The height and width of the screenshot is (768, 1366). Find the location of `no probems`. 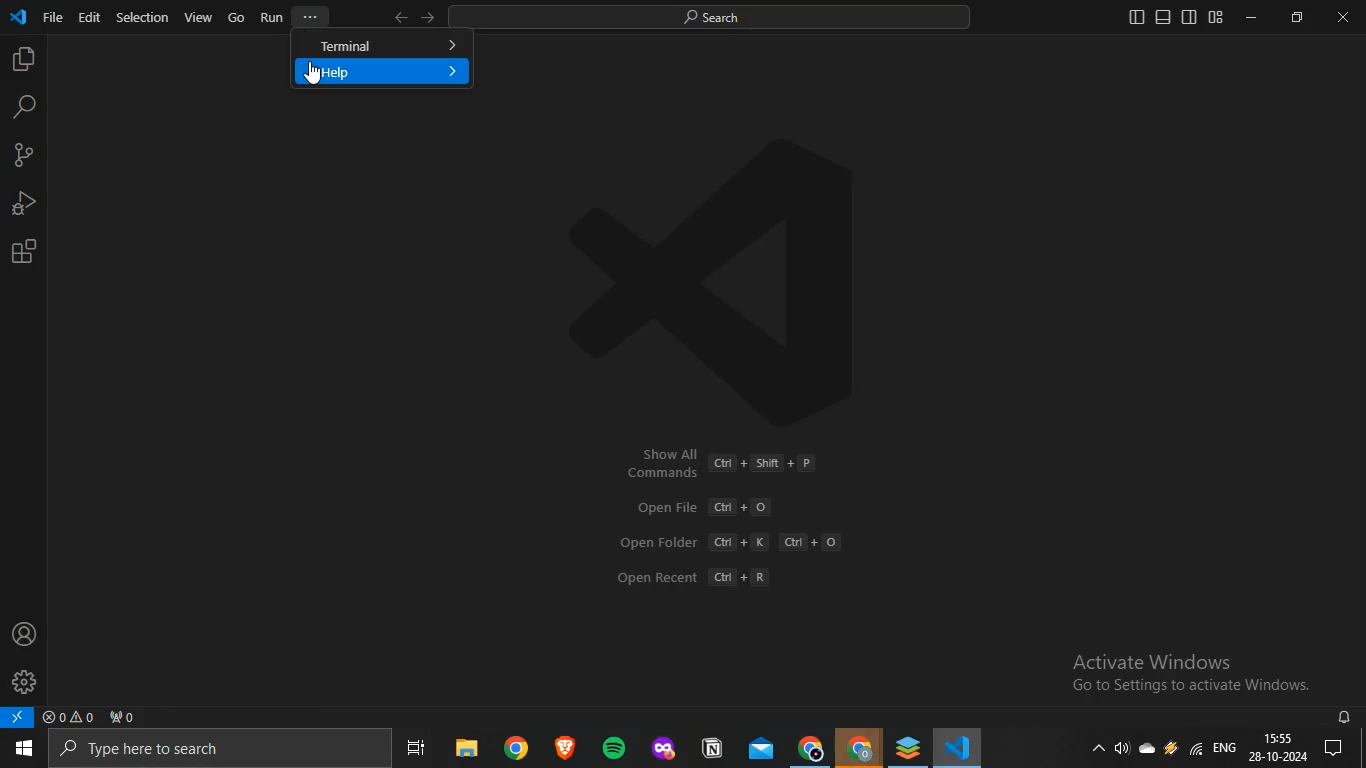

no probems is located at coordinates (67, 717).